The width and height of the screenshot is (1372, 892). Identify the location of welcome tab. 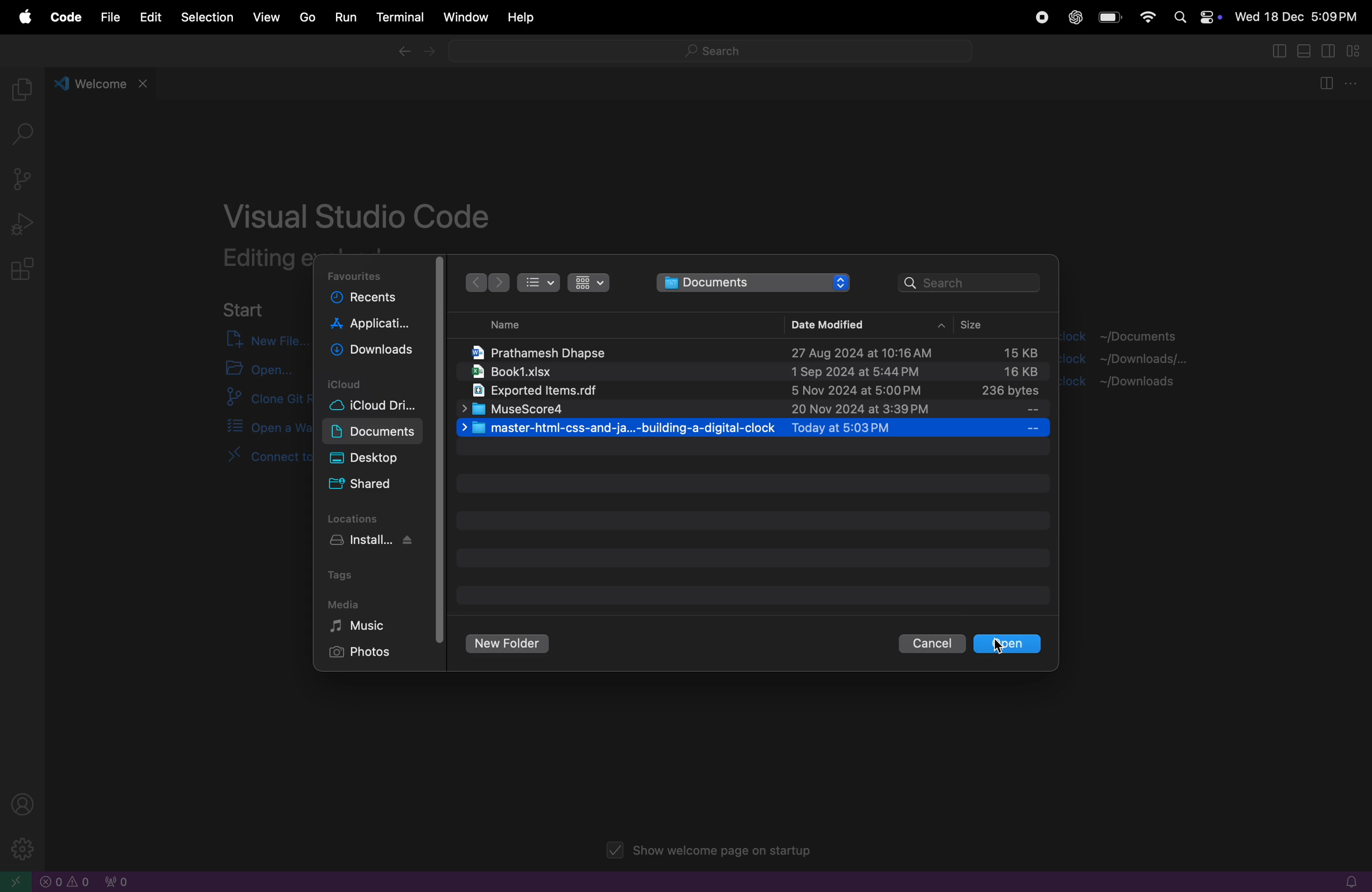
(103, 82).